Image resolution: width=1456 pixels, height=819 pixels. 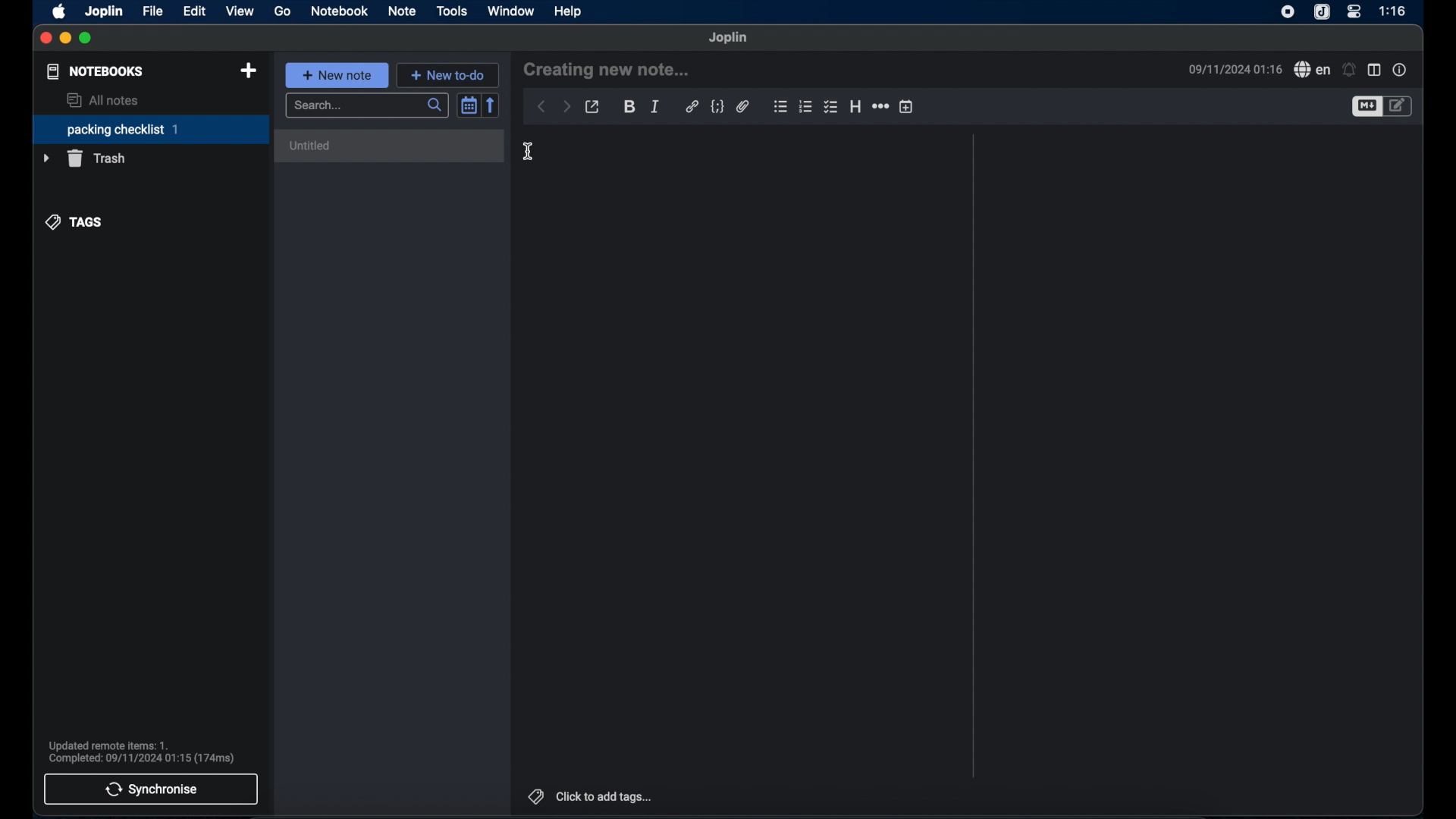 What do you see at coordinates (105, 100) in the screenshot?
I see `all notes` at bounding box center [105, 100].